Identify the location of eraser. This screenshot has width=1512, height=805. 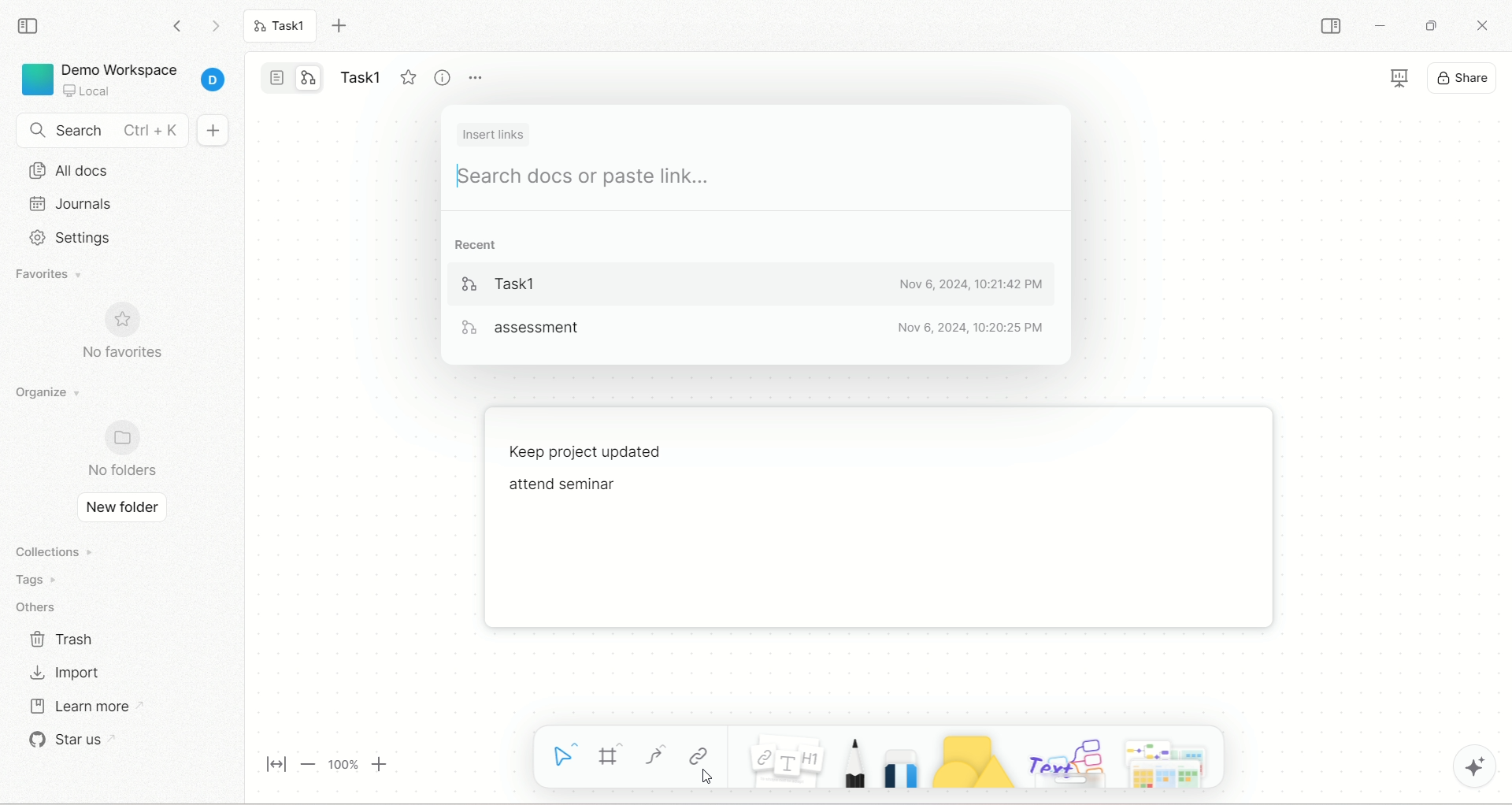
(900, 768).